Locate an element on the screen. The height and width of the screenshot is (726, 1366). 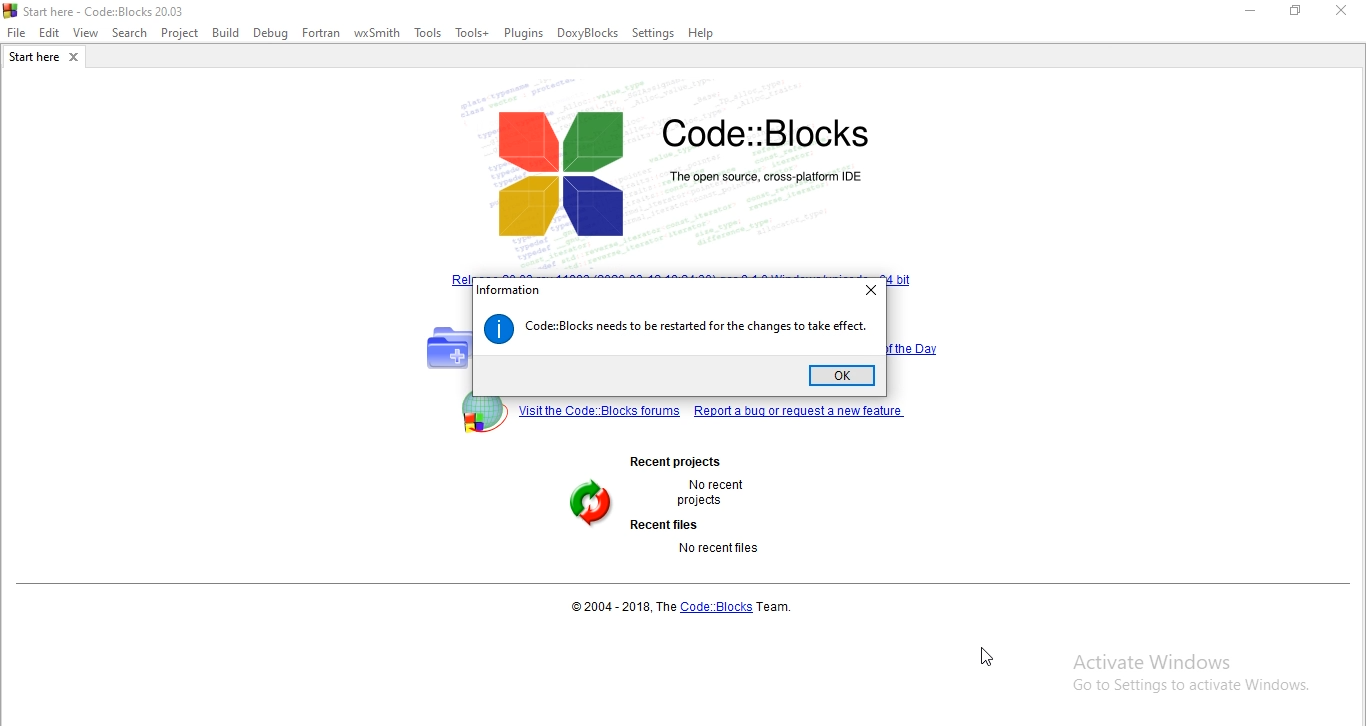
Select is located at coordinates (132, 35).